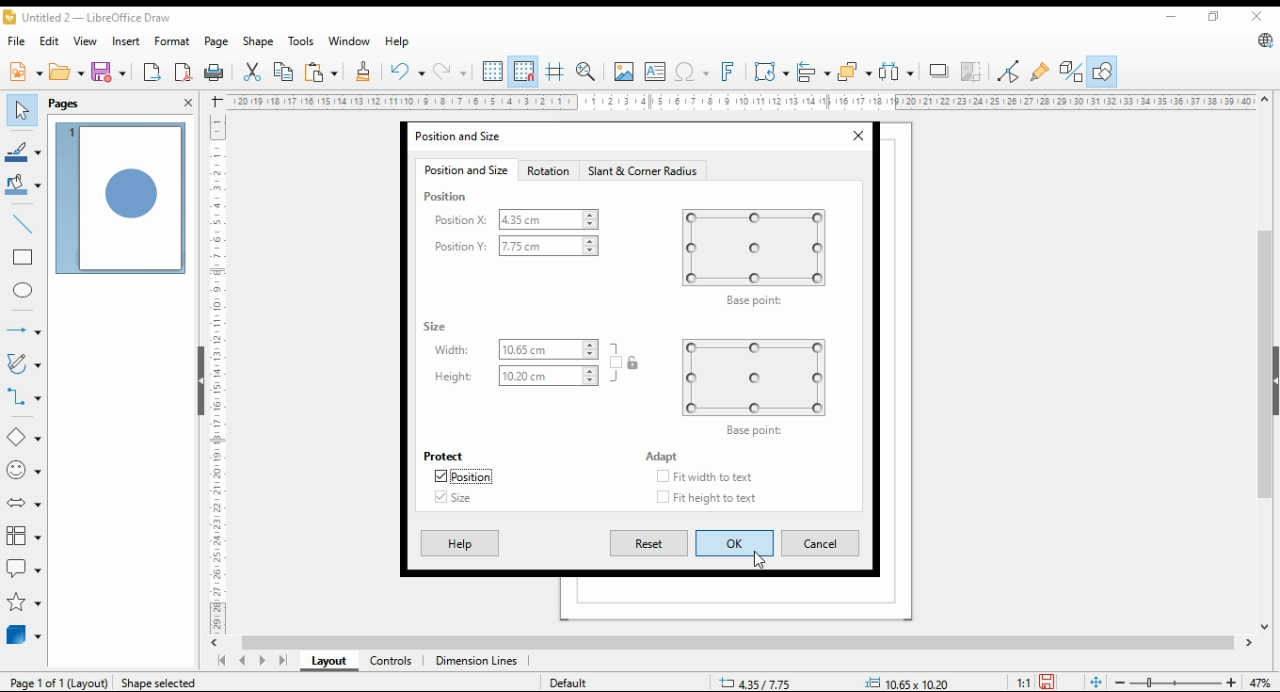 The image size is (1280, 692). I want to click on open, so click(66, 71).